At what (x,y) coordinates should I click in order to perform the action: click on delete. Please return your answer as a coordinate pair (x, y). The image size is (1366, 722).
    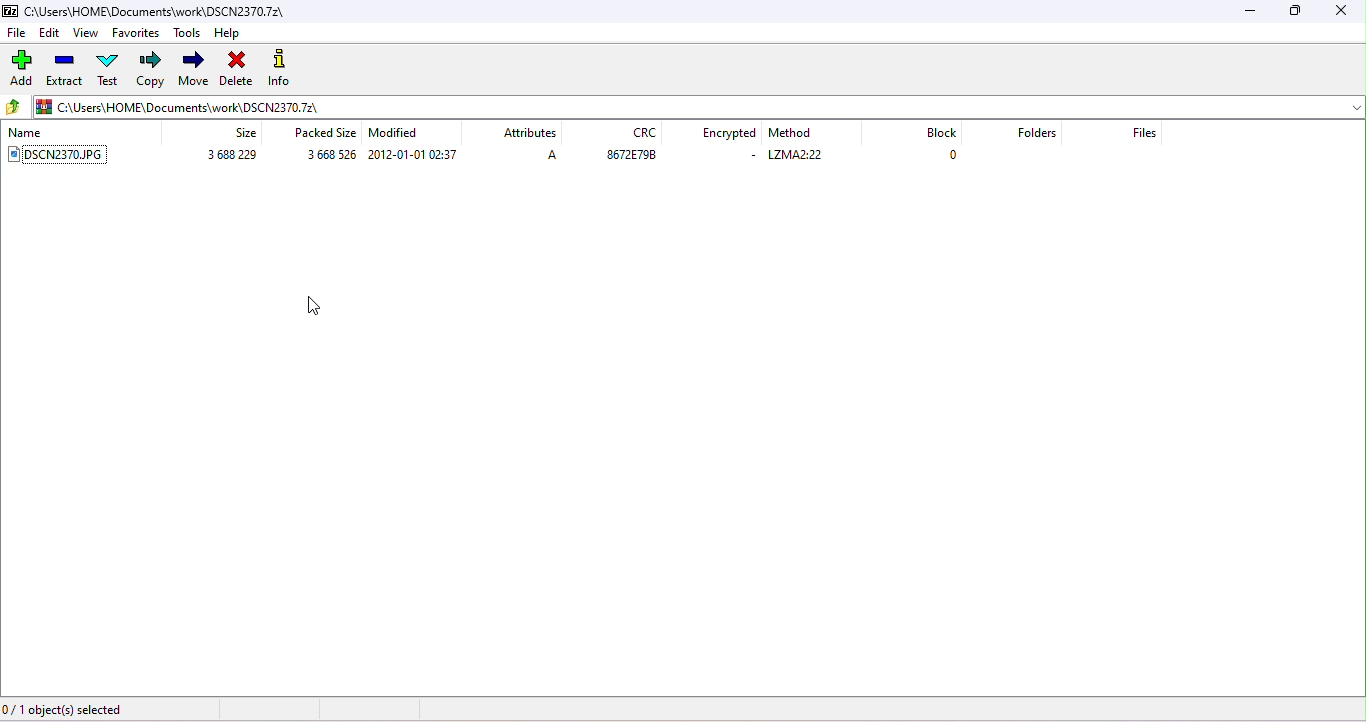
    Looking at the image, I should click on (236, 69).